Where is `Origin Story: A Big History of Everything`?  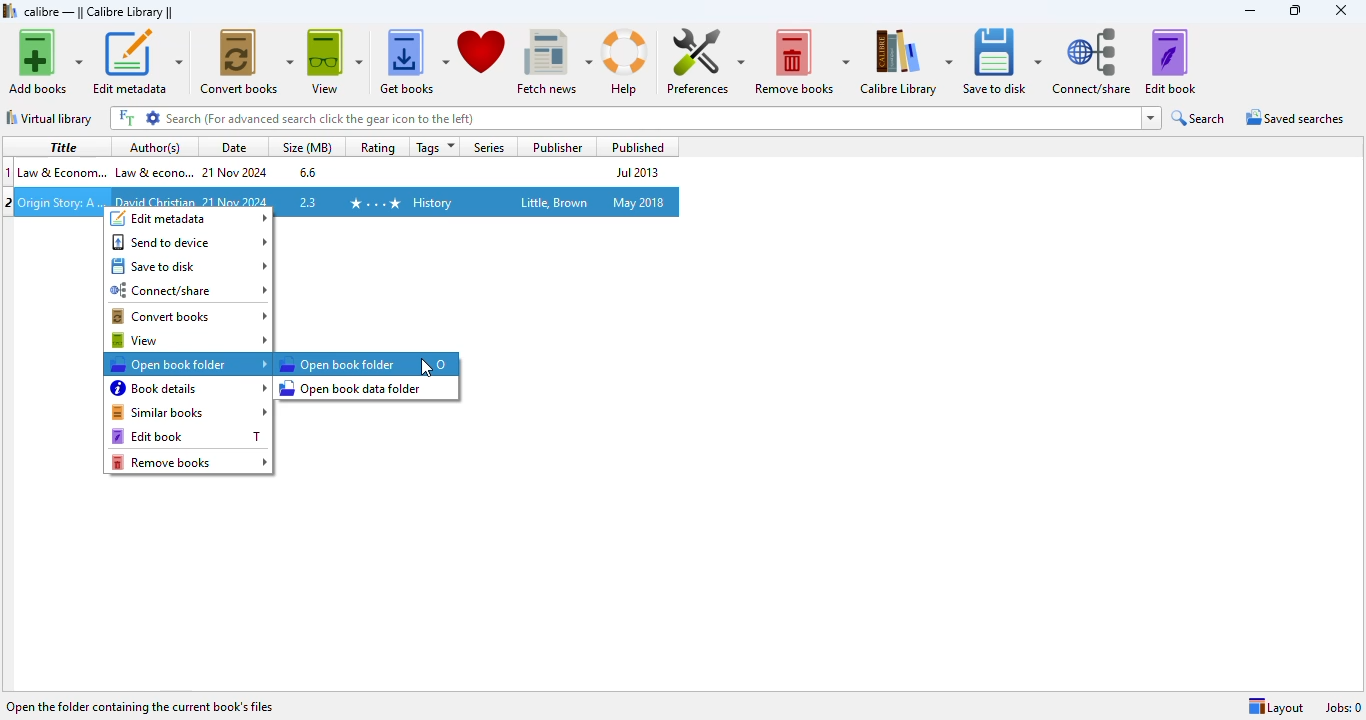
Origin Story: A Big History of Everything is located at coordinates (61, 202).